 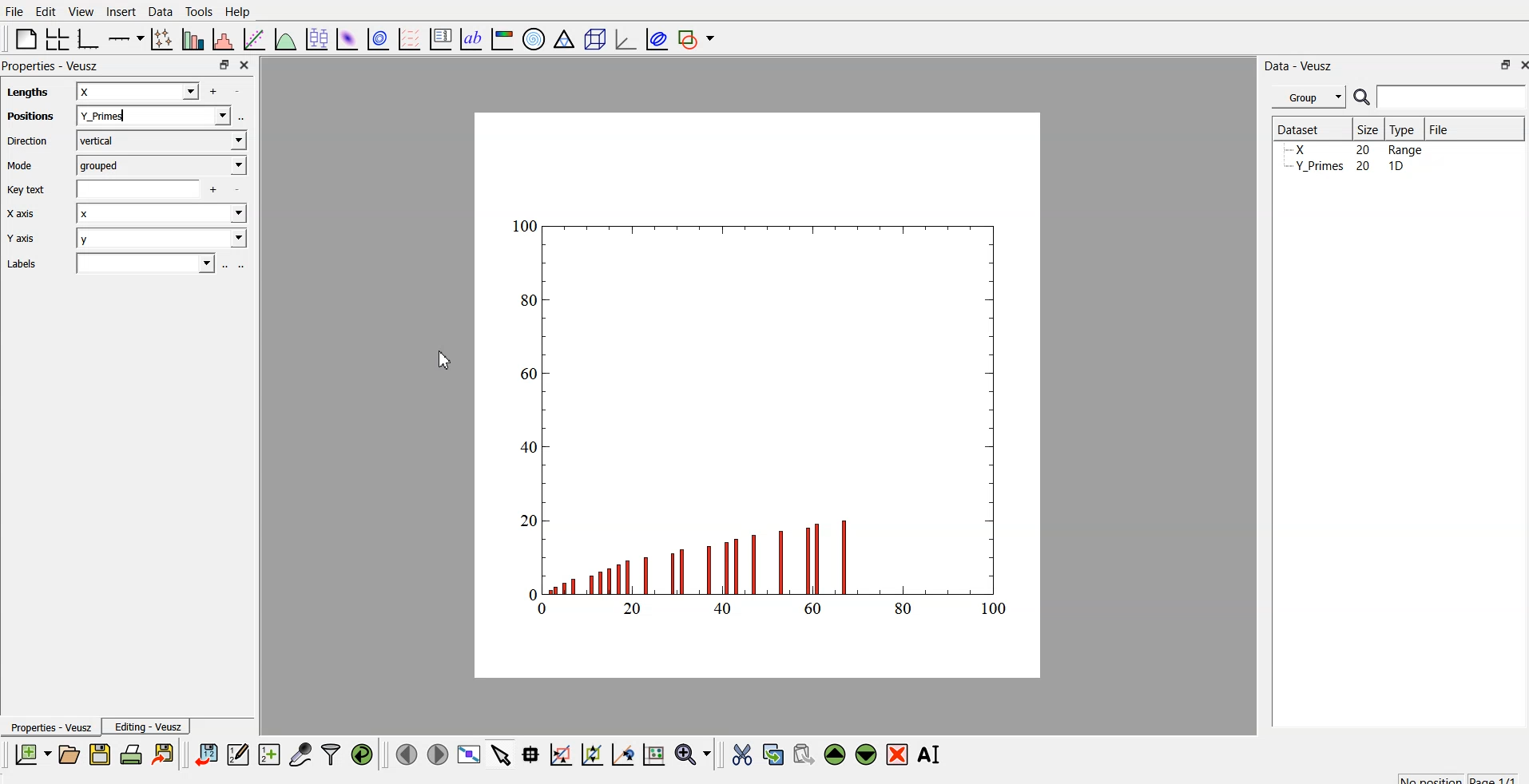 What do you see at coordinates (243, 64) in the screenshot?
I see `close` at bounding box center [243, 64].